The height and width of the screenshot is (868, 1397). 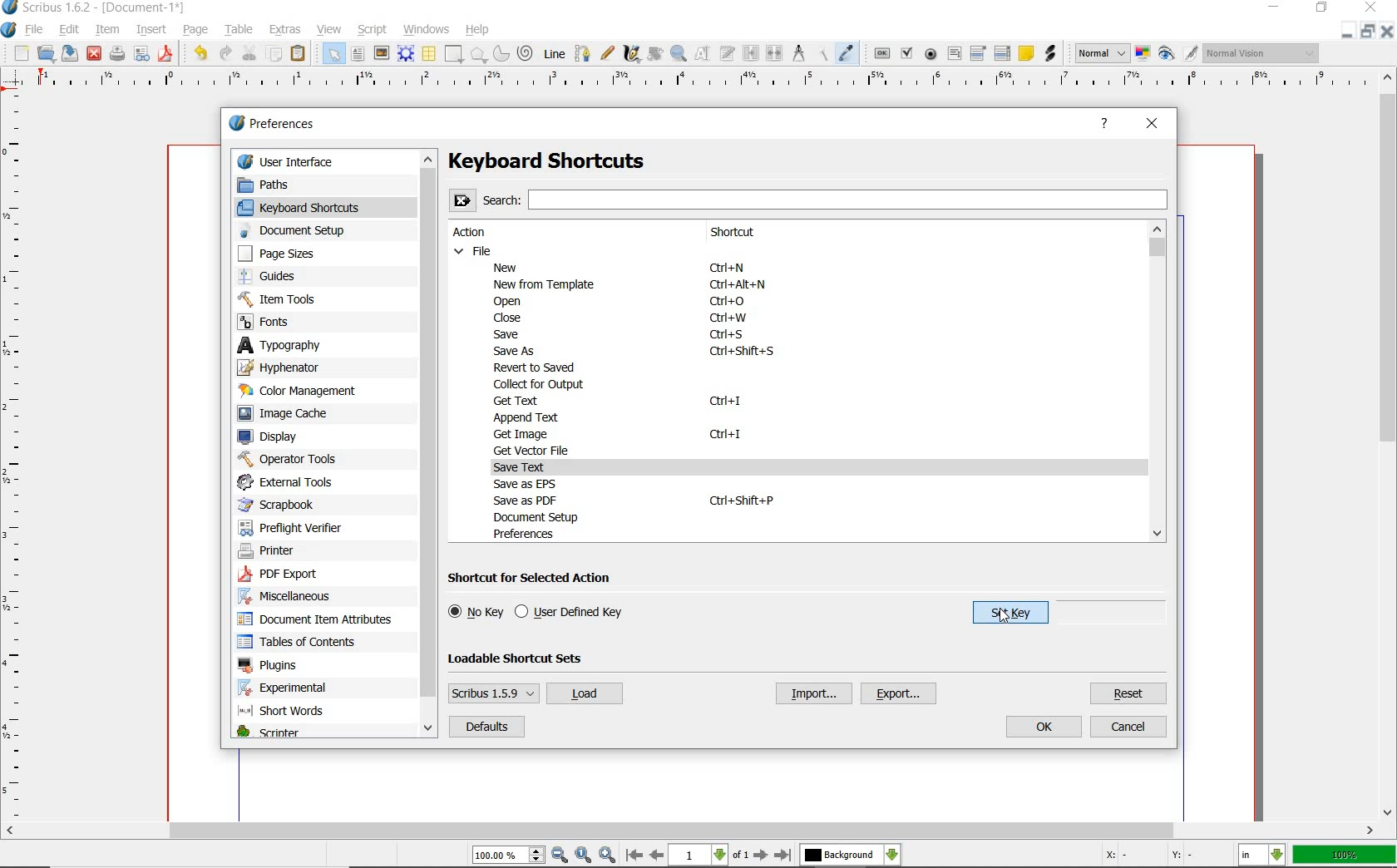 I want to click on pdf export, so click(x=297, y=575).